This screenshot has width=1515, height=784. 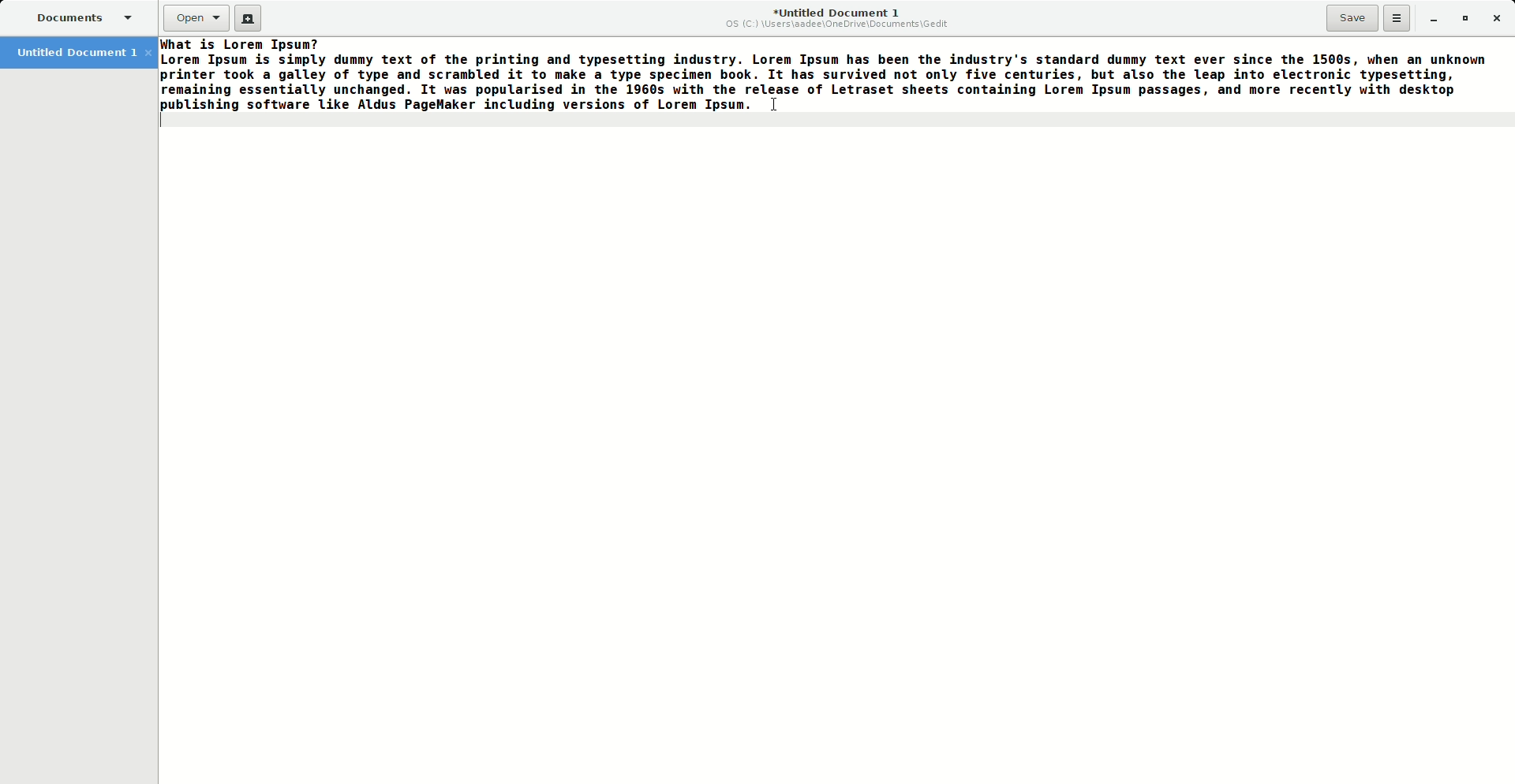 What do you see at coordinates (1352, 18) in the screenshot?
I see `Save` at bounding box center [1352, 18].